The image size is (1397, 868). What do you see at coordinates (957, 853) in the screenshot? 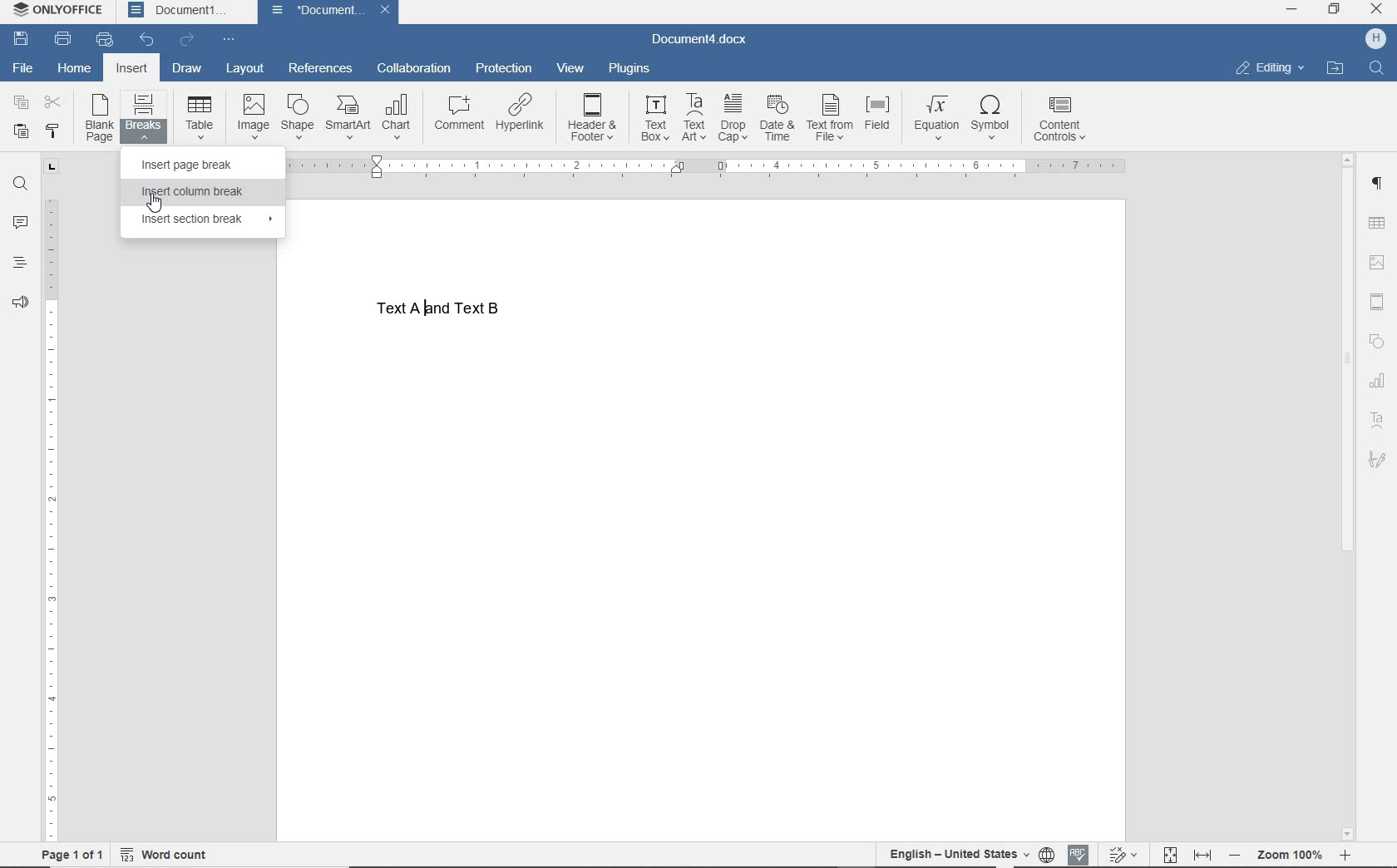
I see `TEXT LANGUAGE` at bounding box center [957, 853].